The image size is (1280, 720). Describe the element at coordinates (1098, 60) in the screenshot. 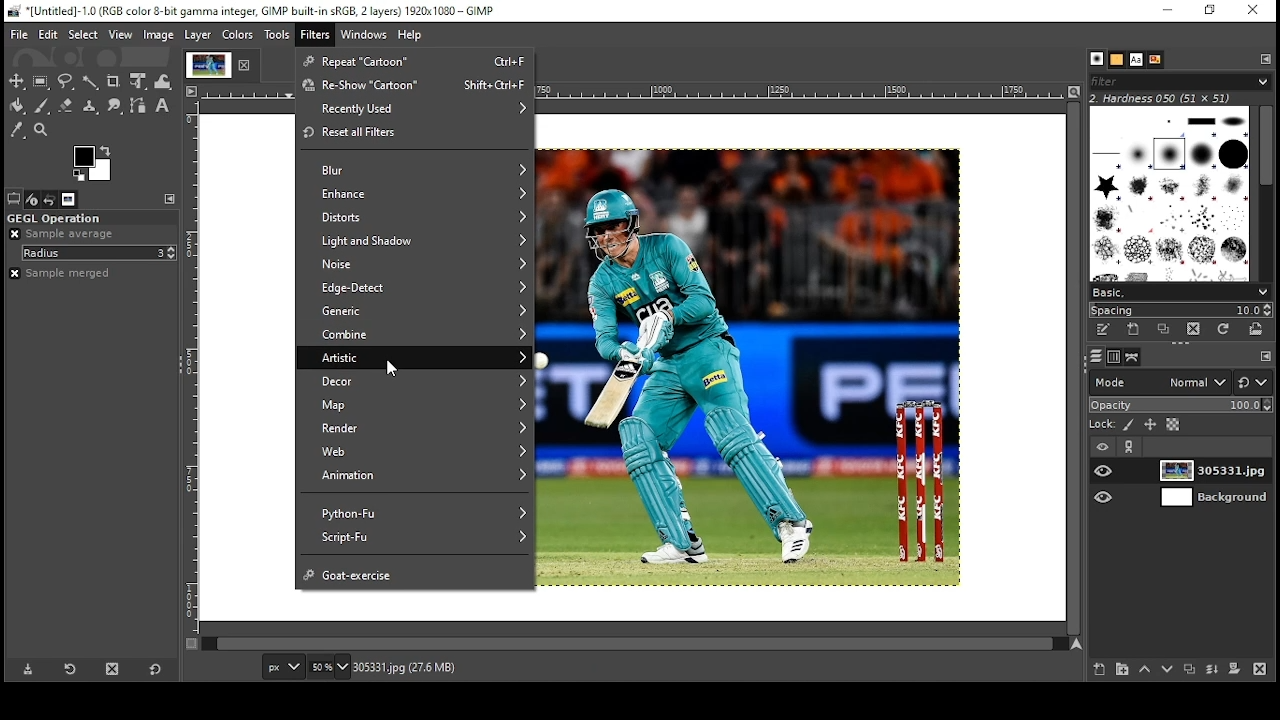

I see `brushes` at that location.